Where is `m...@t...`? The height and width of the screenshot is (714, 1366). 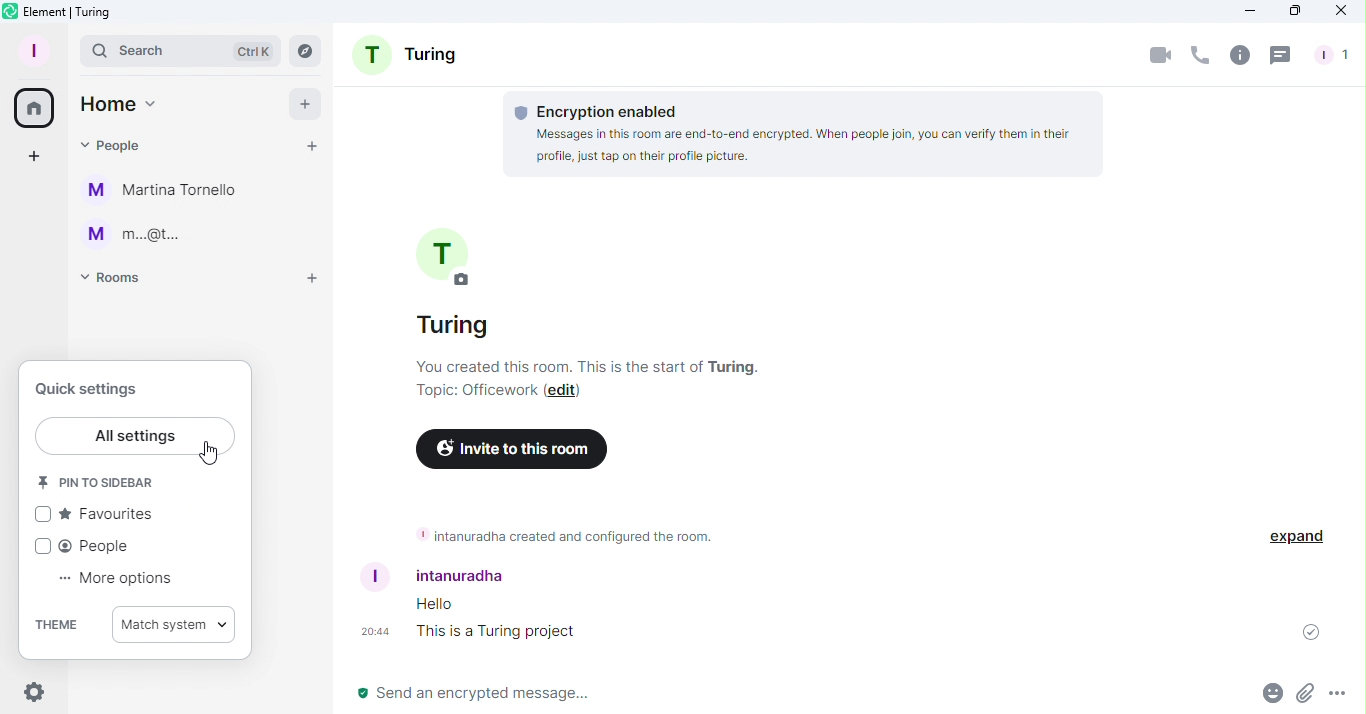 m...@t... is located at coordinates (137, 236).